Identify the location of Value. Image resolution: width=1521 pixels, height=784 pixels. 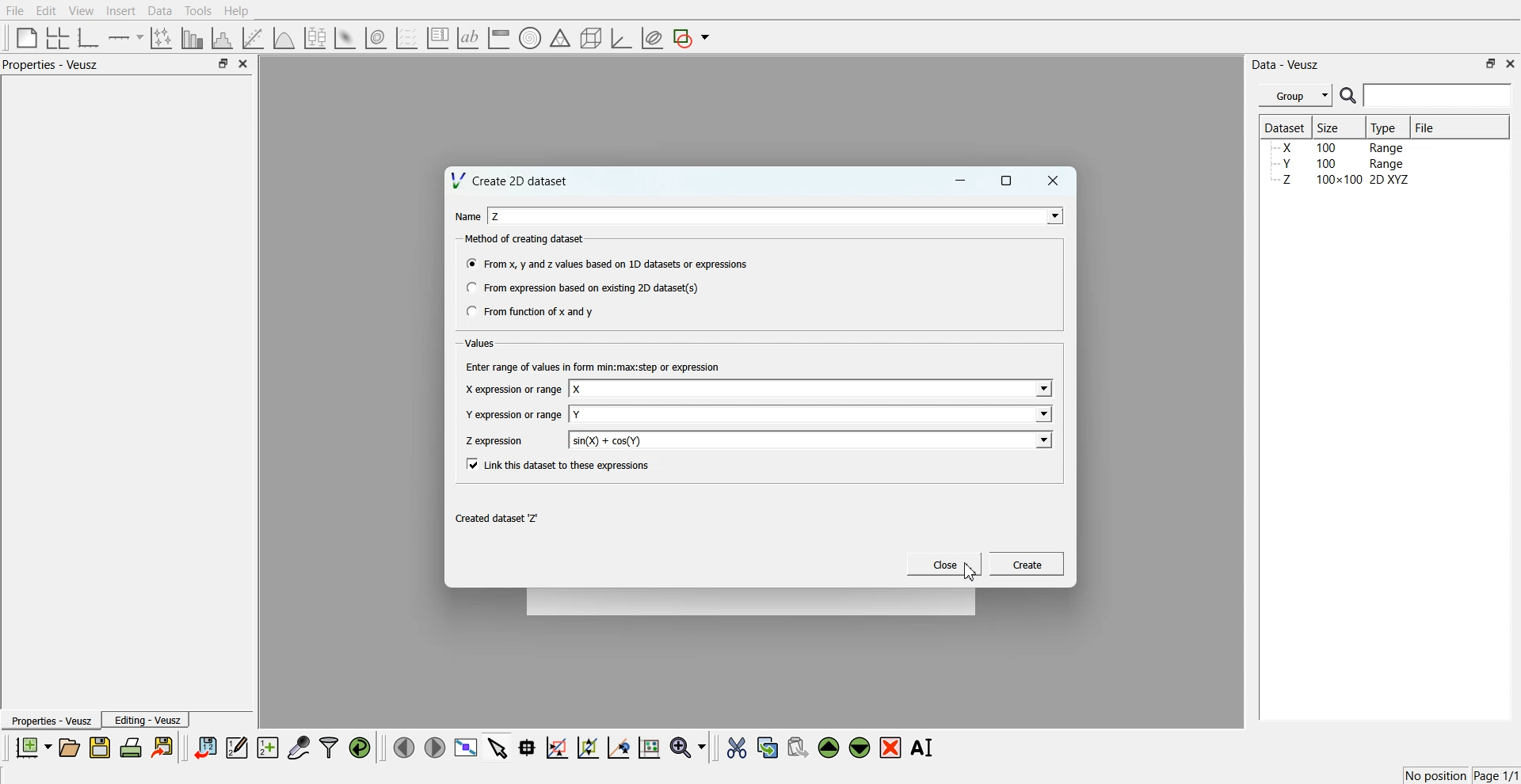
(482, 343).